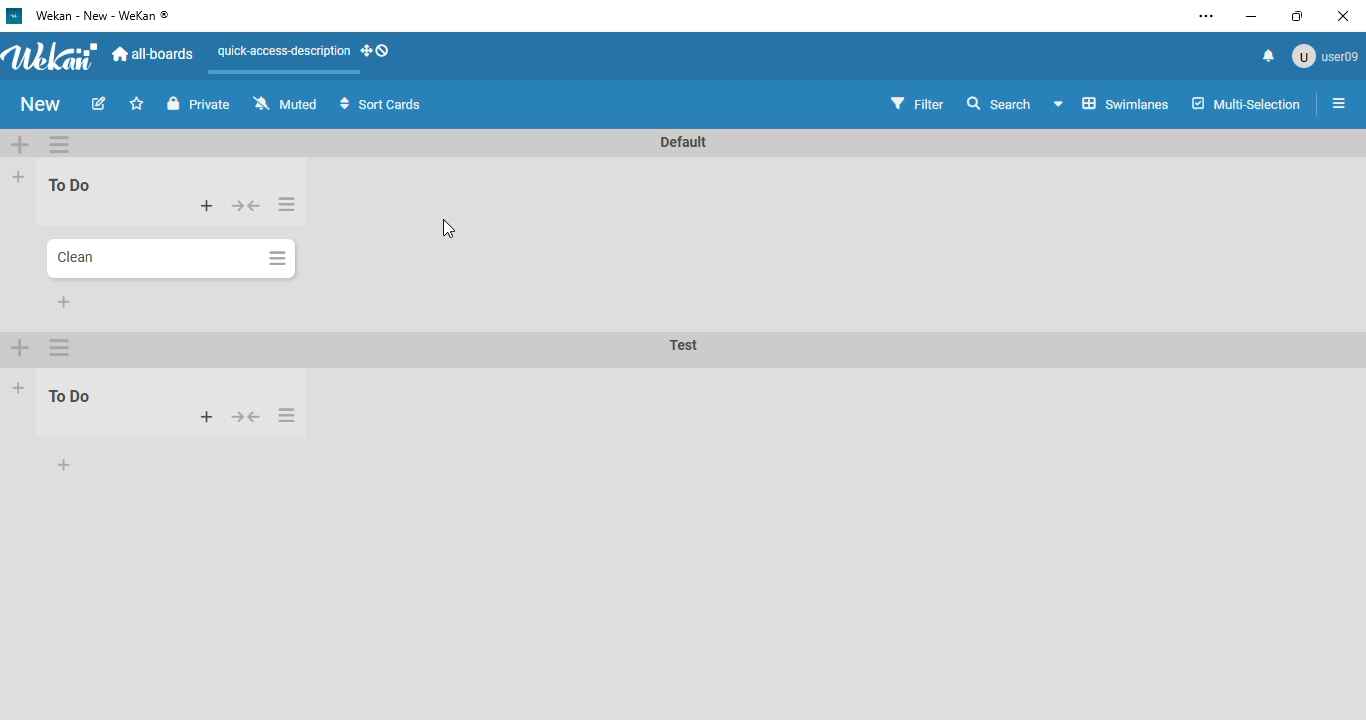 This screenshot has width=1366, height=720. I want to click on add swimlane, so click(19, 145).